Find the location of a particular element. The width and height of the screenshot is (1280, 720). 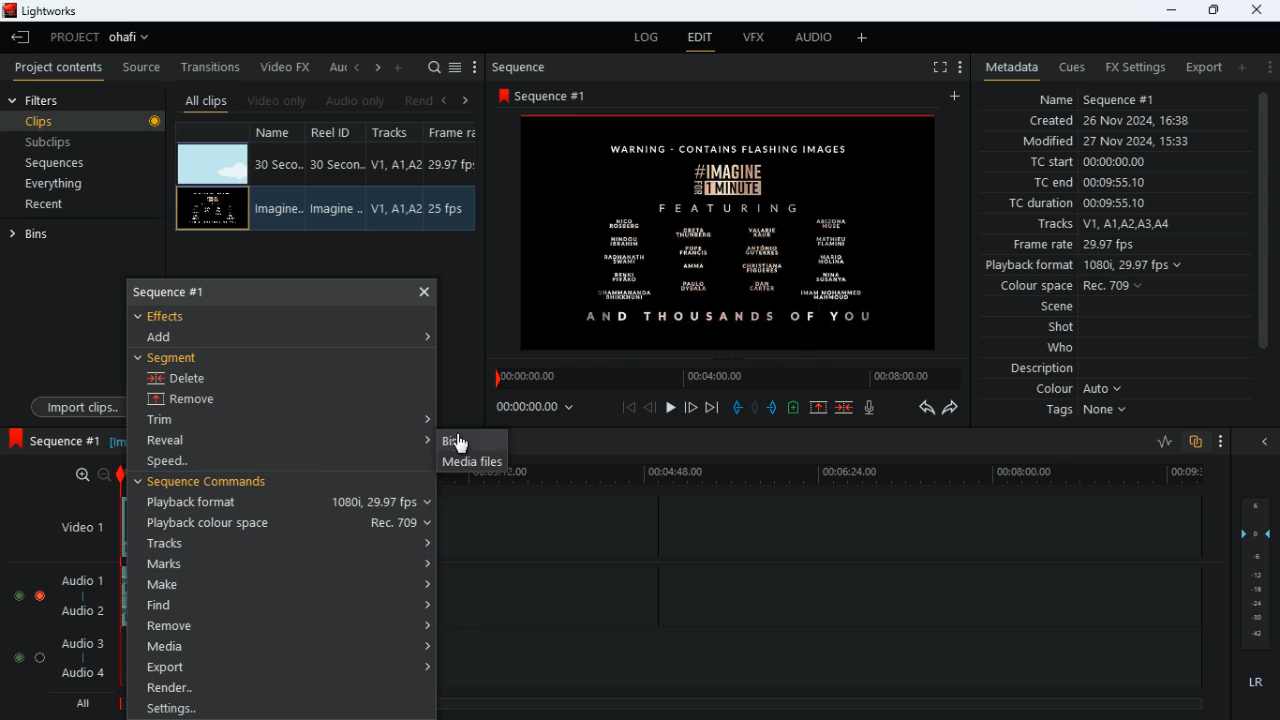

pull is located at coordinates (735, 407).